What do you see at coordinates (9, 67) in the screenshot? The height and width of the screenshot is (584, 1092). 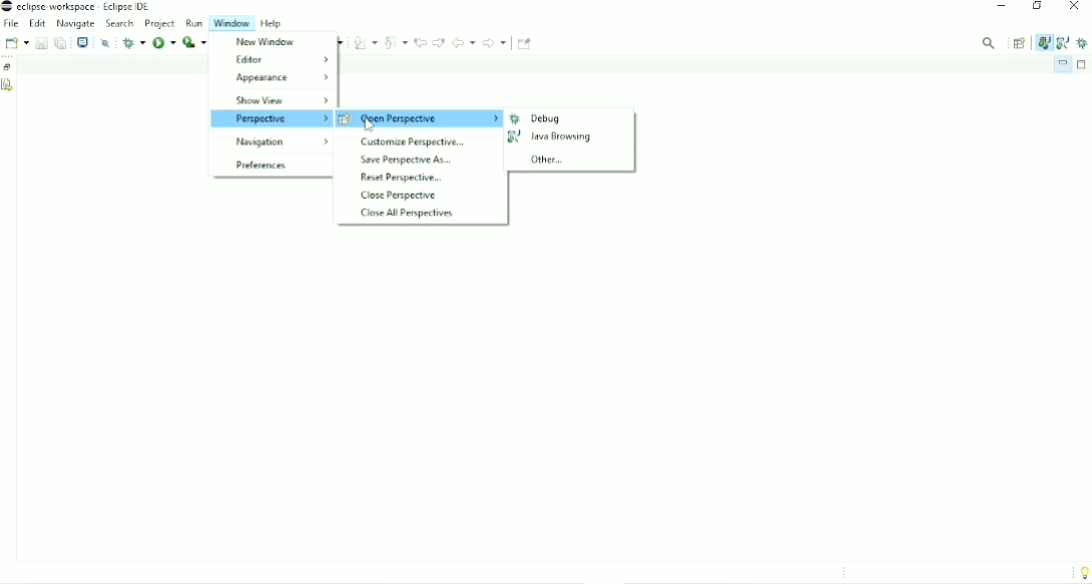 I see `Restore` at bounding box center [9, 67].